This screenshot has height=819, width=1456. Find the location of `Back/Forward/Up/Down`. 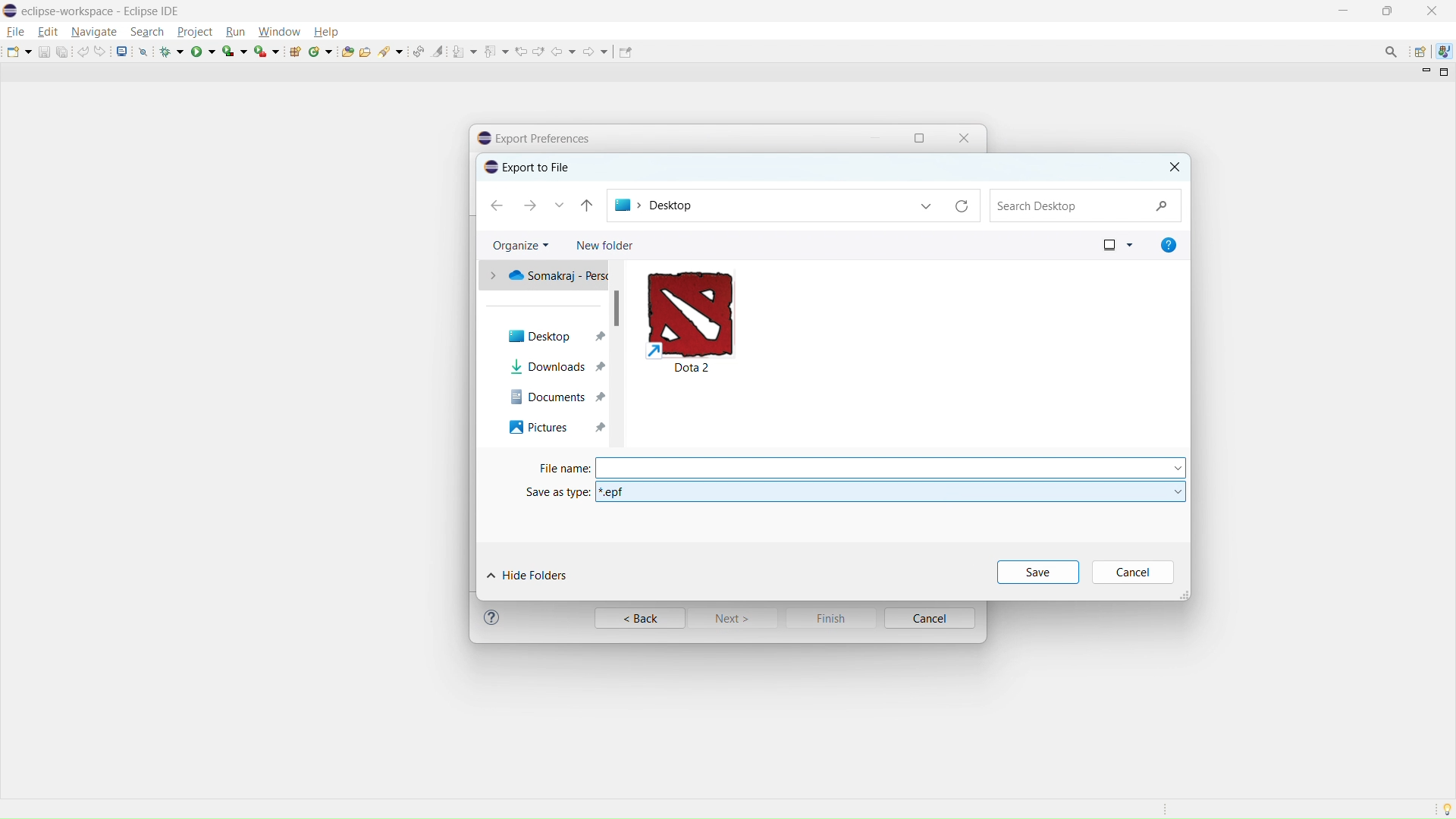

Back/Forward/Up/Down is located at coordinates (546, 205).